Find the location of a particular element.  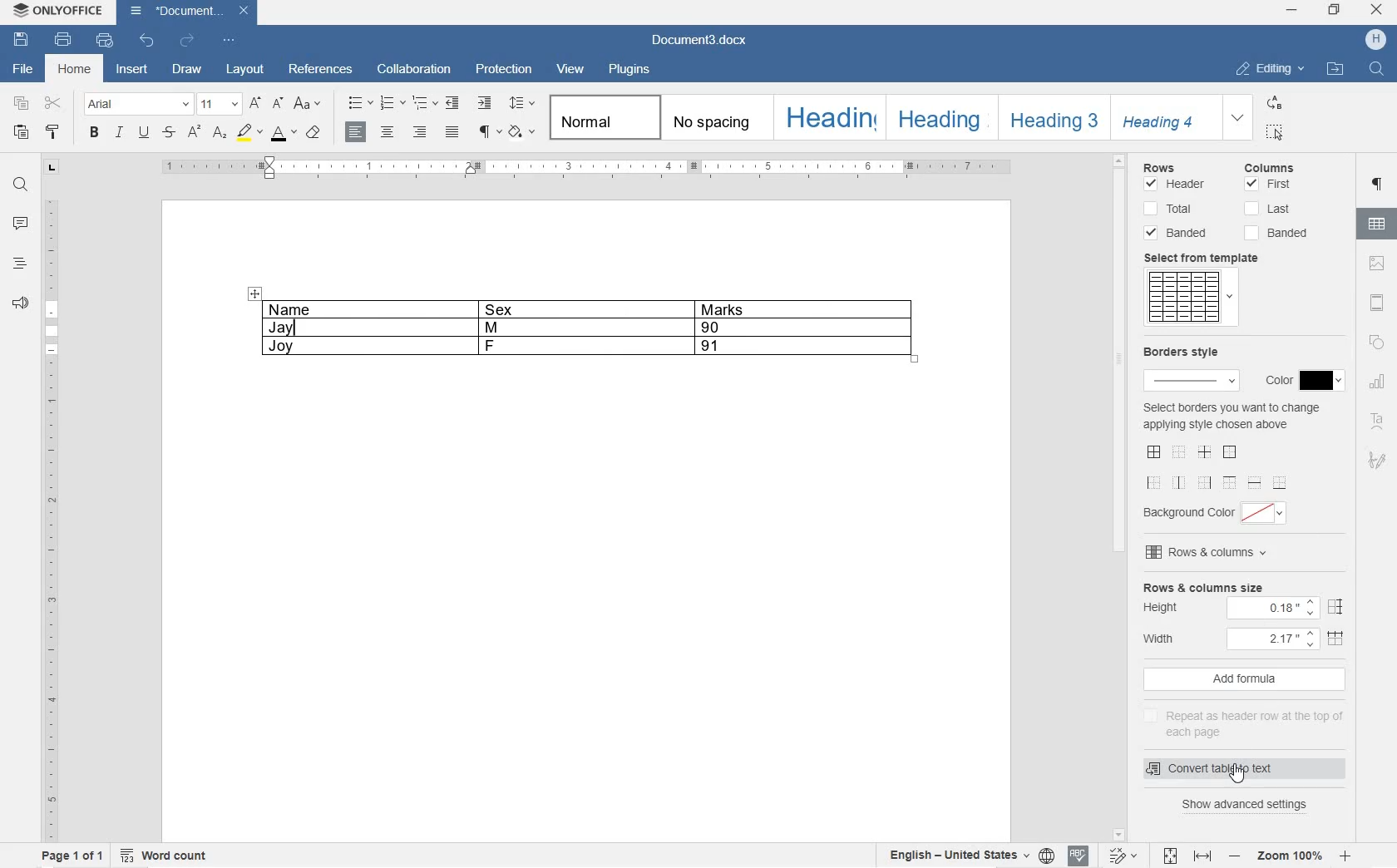

convert table to text is located at coordinates (1231, 769).